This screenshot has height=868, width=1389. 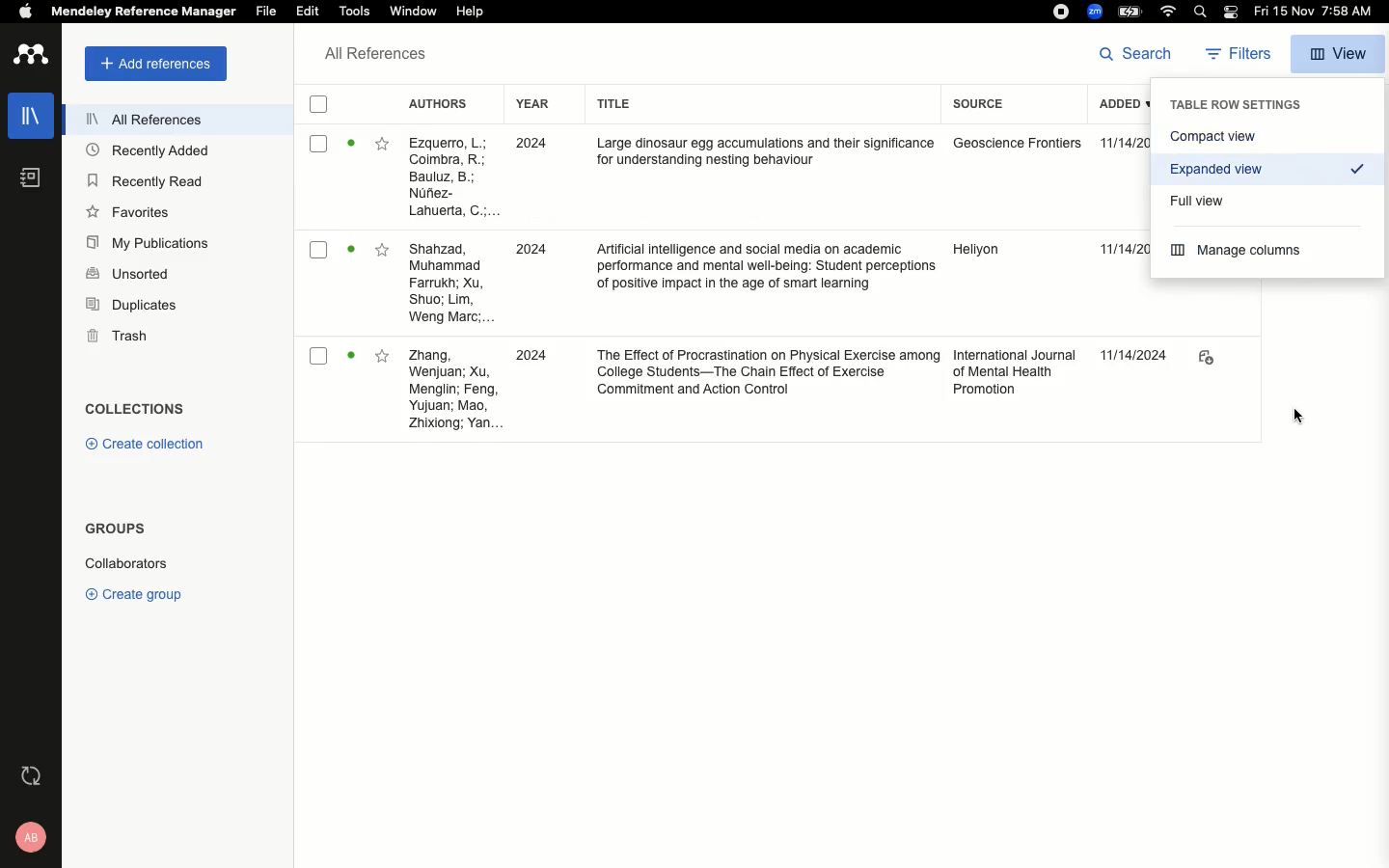 I want to click on Recently added, so click(x=147, y=152).